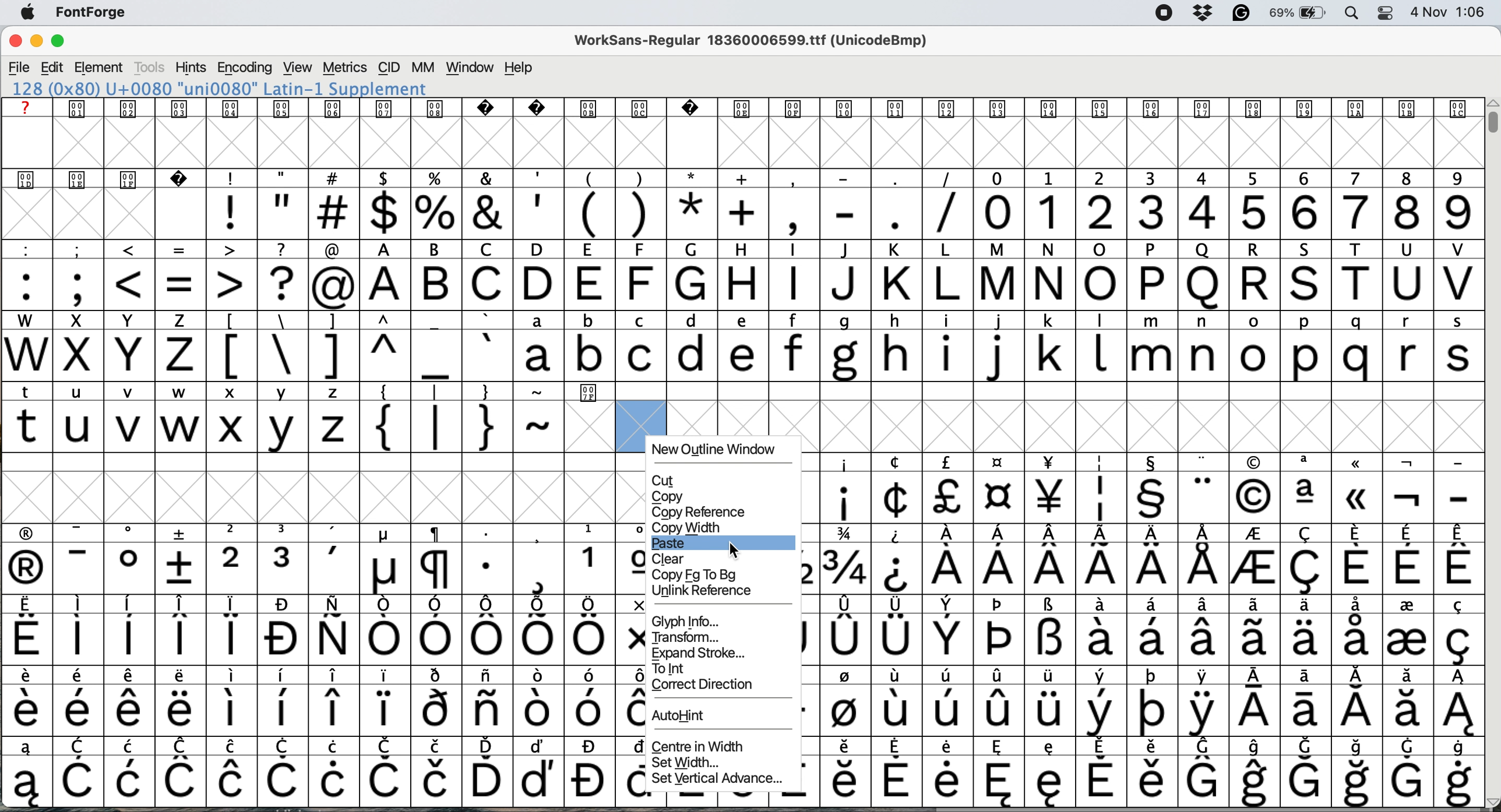 The height and width of the screenshot is (812, 1501). What do you see at coordinates (700, 576) in the screenshot?
I see `copy fg to bg` at bounding box center [700, 576].